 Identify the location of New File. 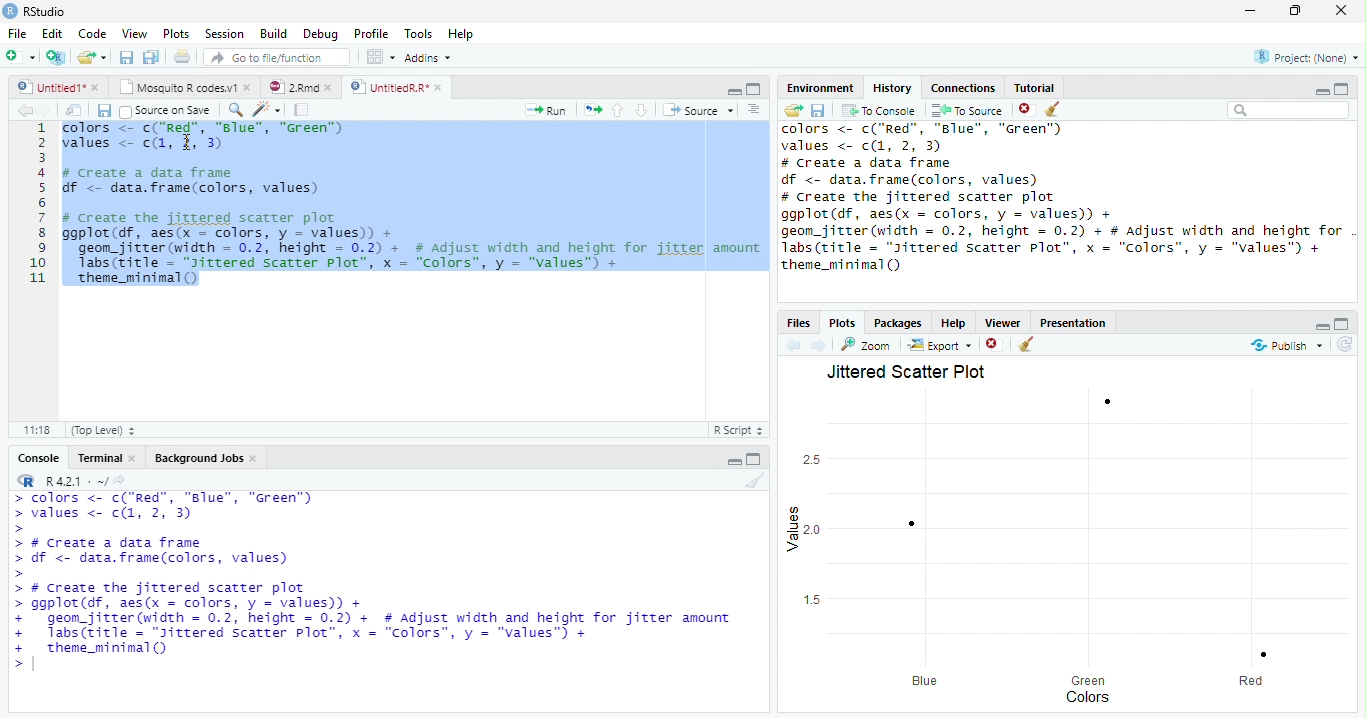
(21, 57).